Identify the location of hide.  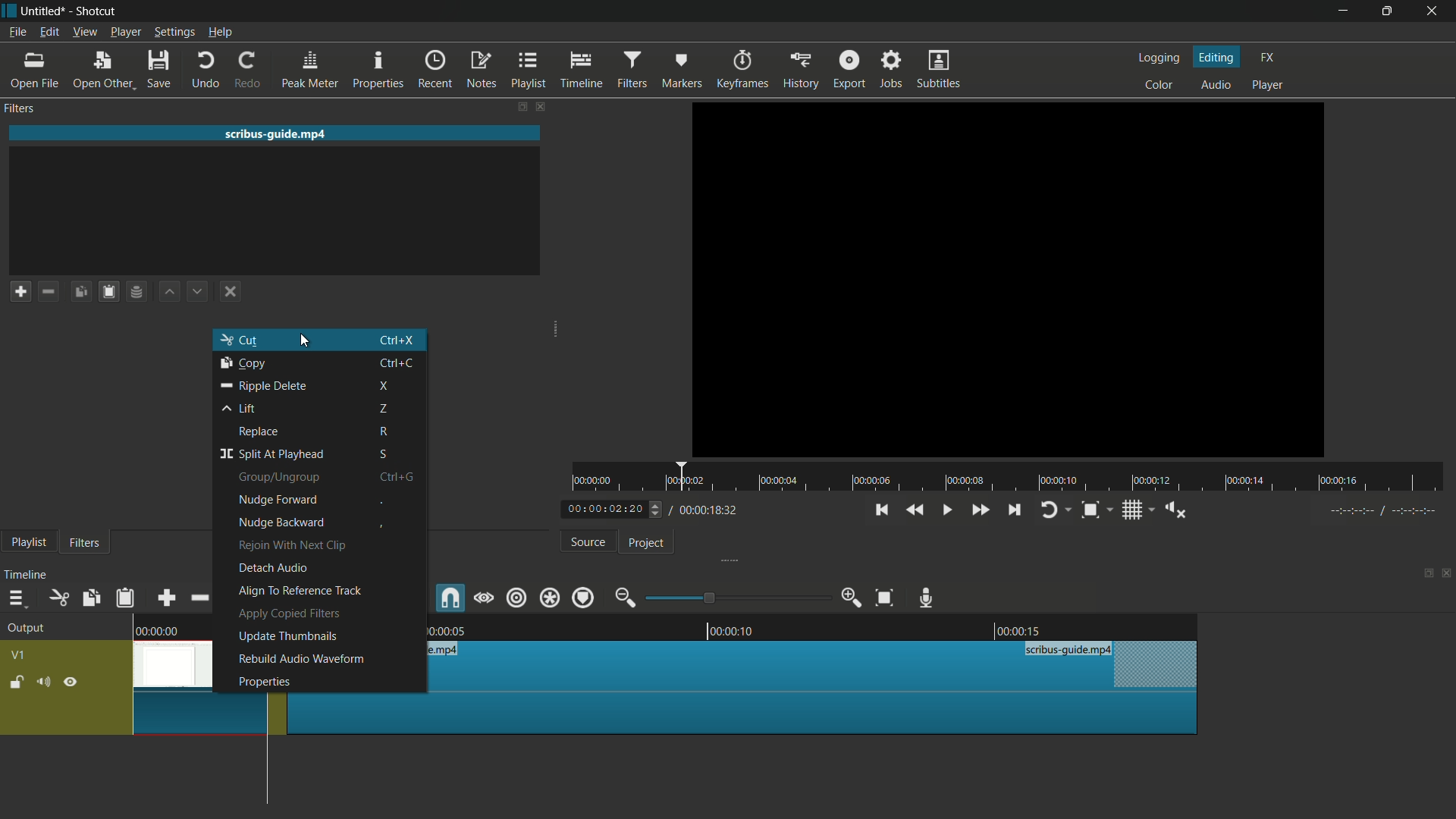
(71, 683).